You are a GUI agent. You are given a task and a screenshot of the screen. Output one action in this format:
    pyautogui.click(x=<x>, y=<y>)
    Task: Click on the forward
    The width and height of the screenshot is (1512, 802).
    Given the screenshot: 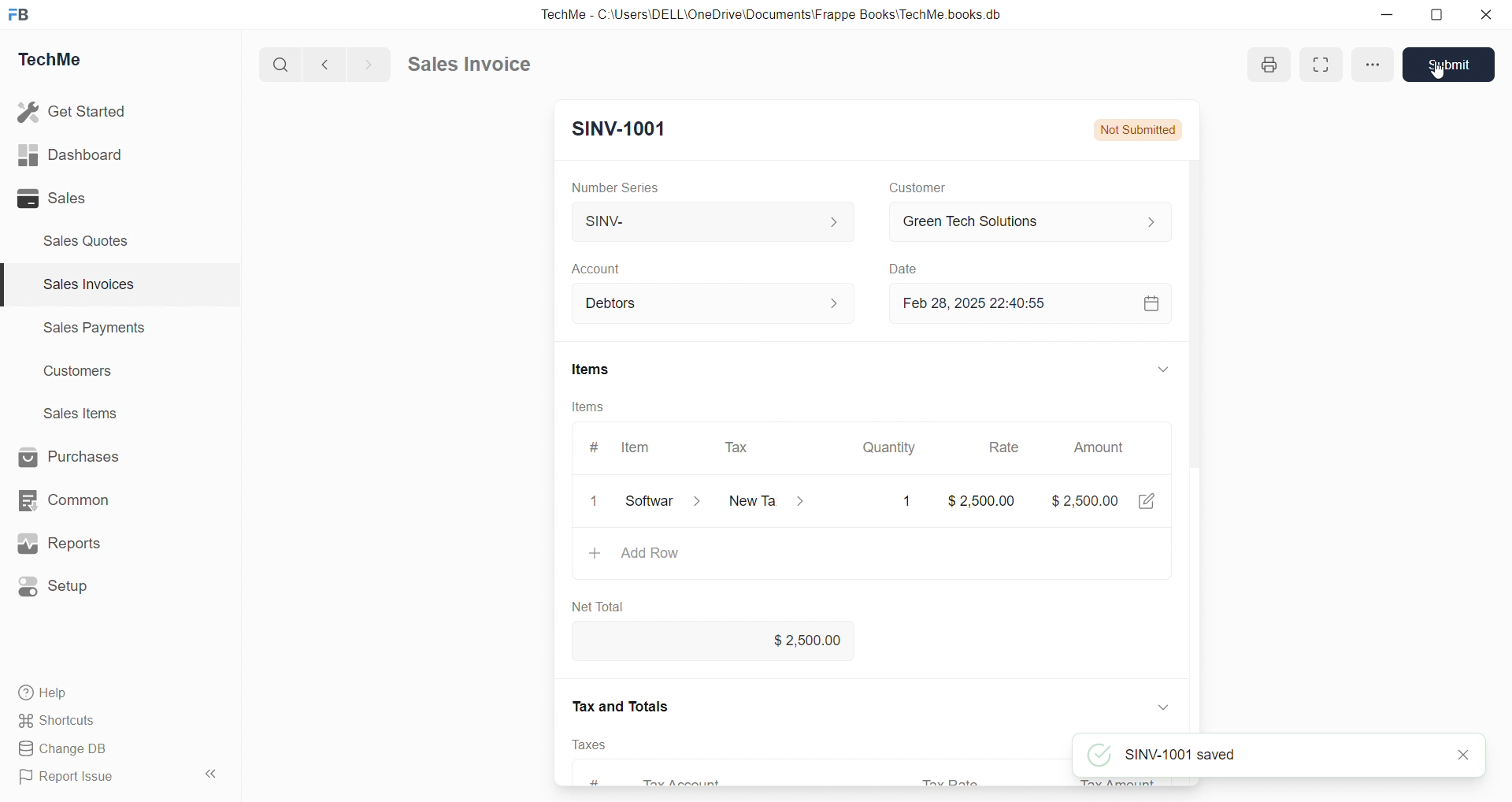 What is the action you would take?
    pyautogui.click(x=366, y=65)
    